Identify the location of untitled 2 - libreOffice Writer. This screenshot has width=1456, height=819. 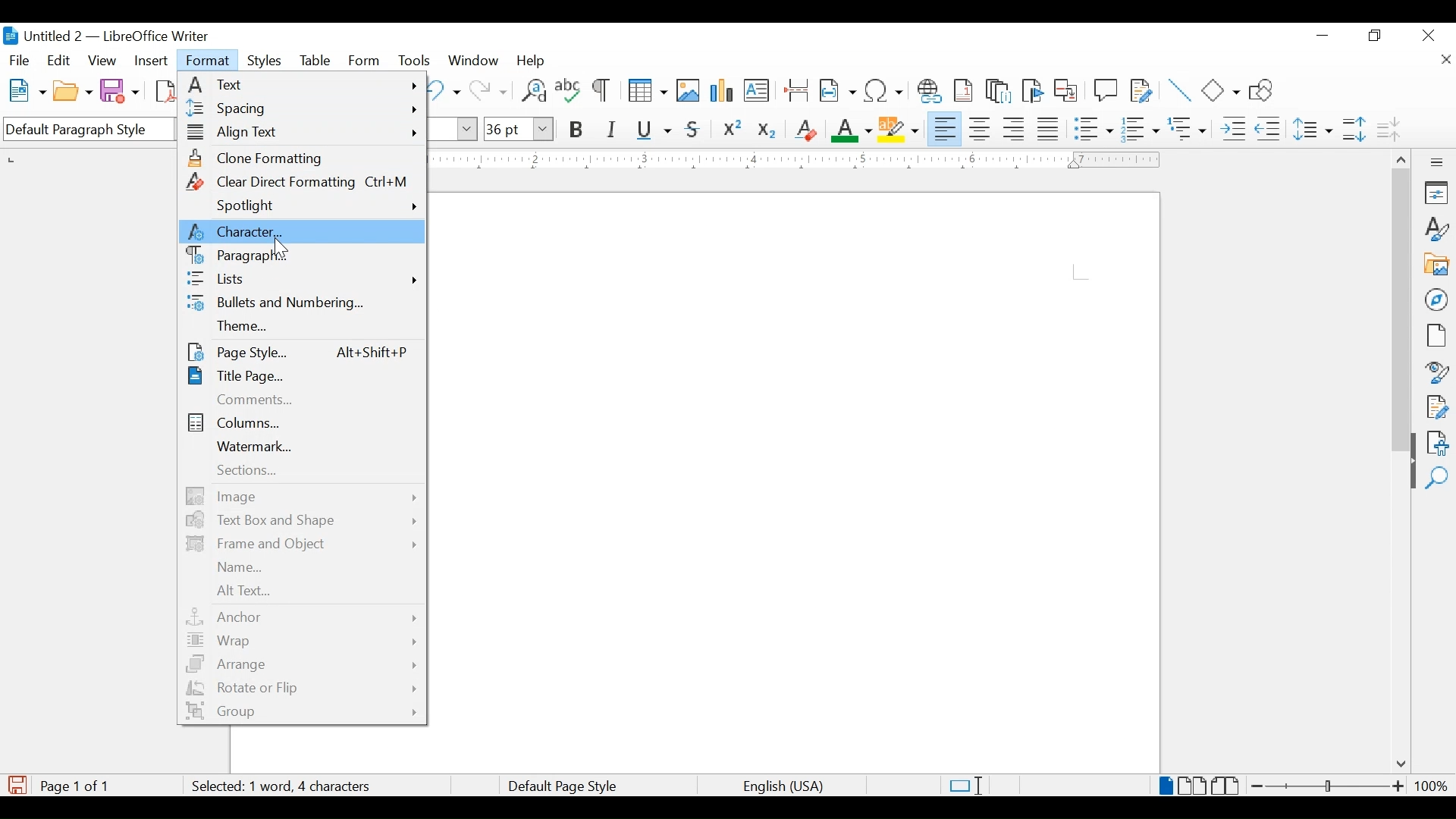
(105, 39).